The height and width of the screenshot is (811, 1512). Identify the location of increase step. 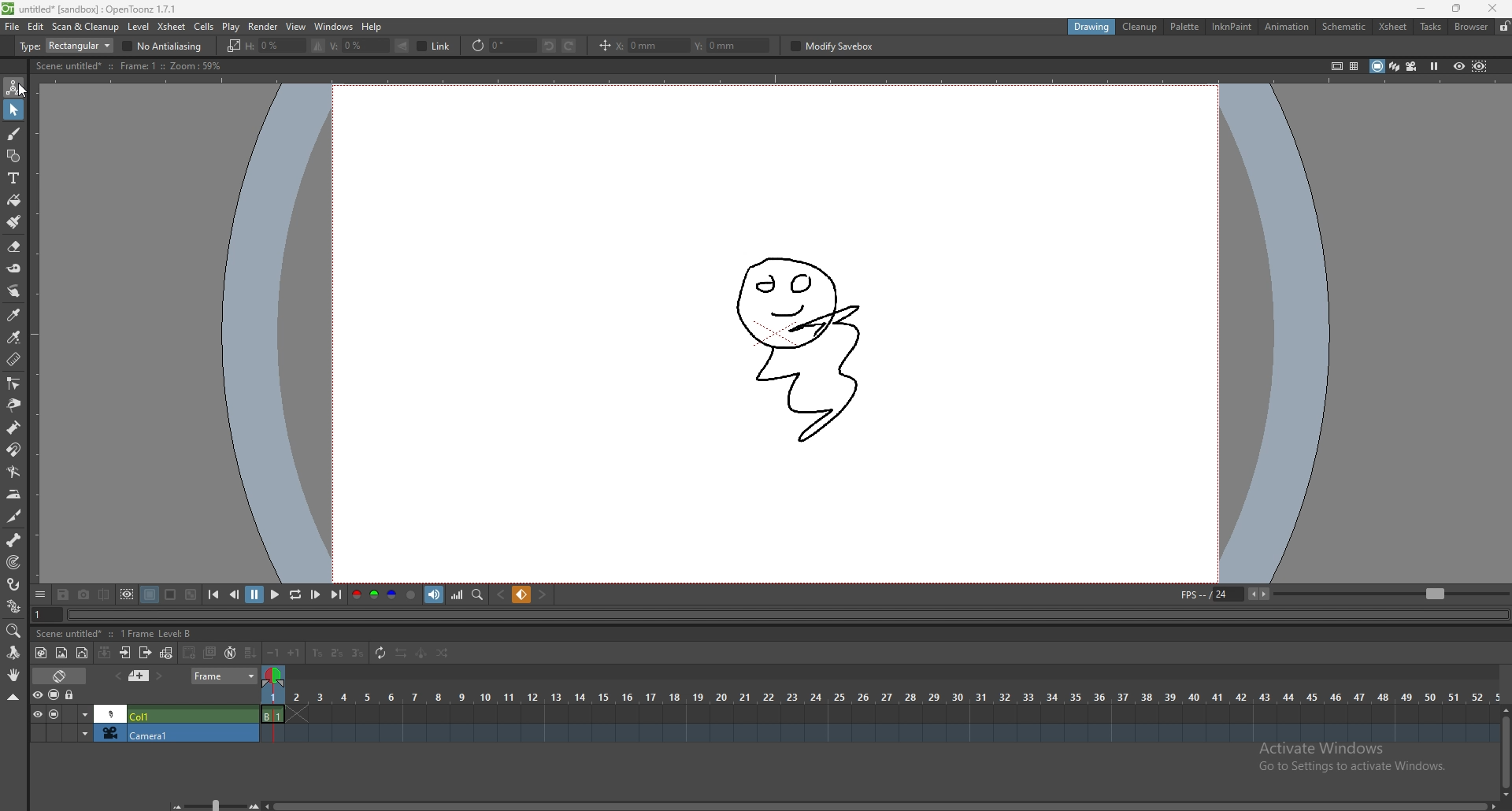
(296, 652).